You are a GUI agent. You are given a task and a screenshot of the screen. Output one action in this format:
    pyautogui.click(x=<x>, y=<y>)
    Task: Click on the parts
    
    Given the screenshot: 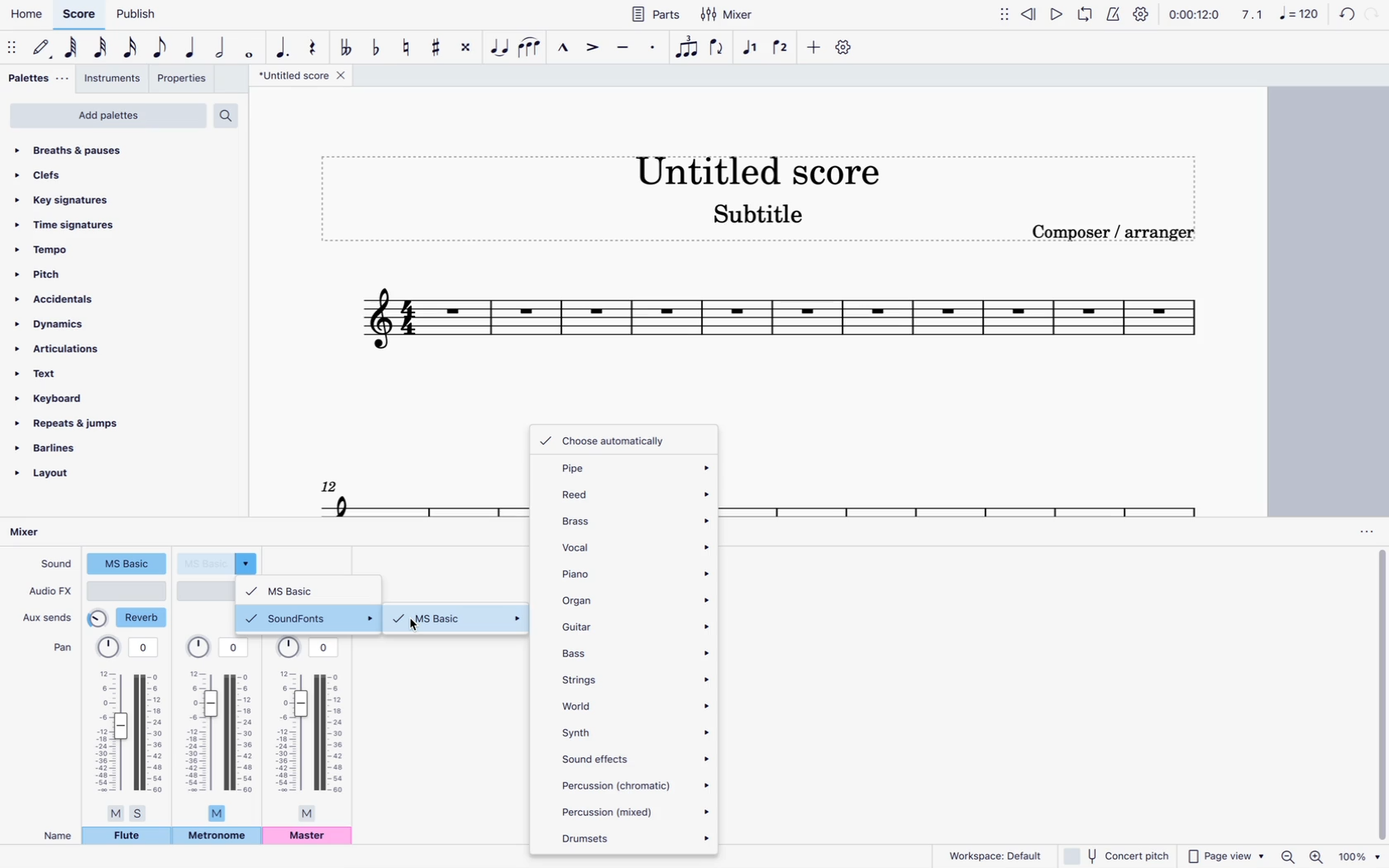 What is the action you would take?
    pyautogui.click(x=657, y=14)
    